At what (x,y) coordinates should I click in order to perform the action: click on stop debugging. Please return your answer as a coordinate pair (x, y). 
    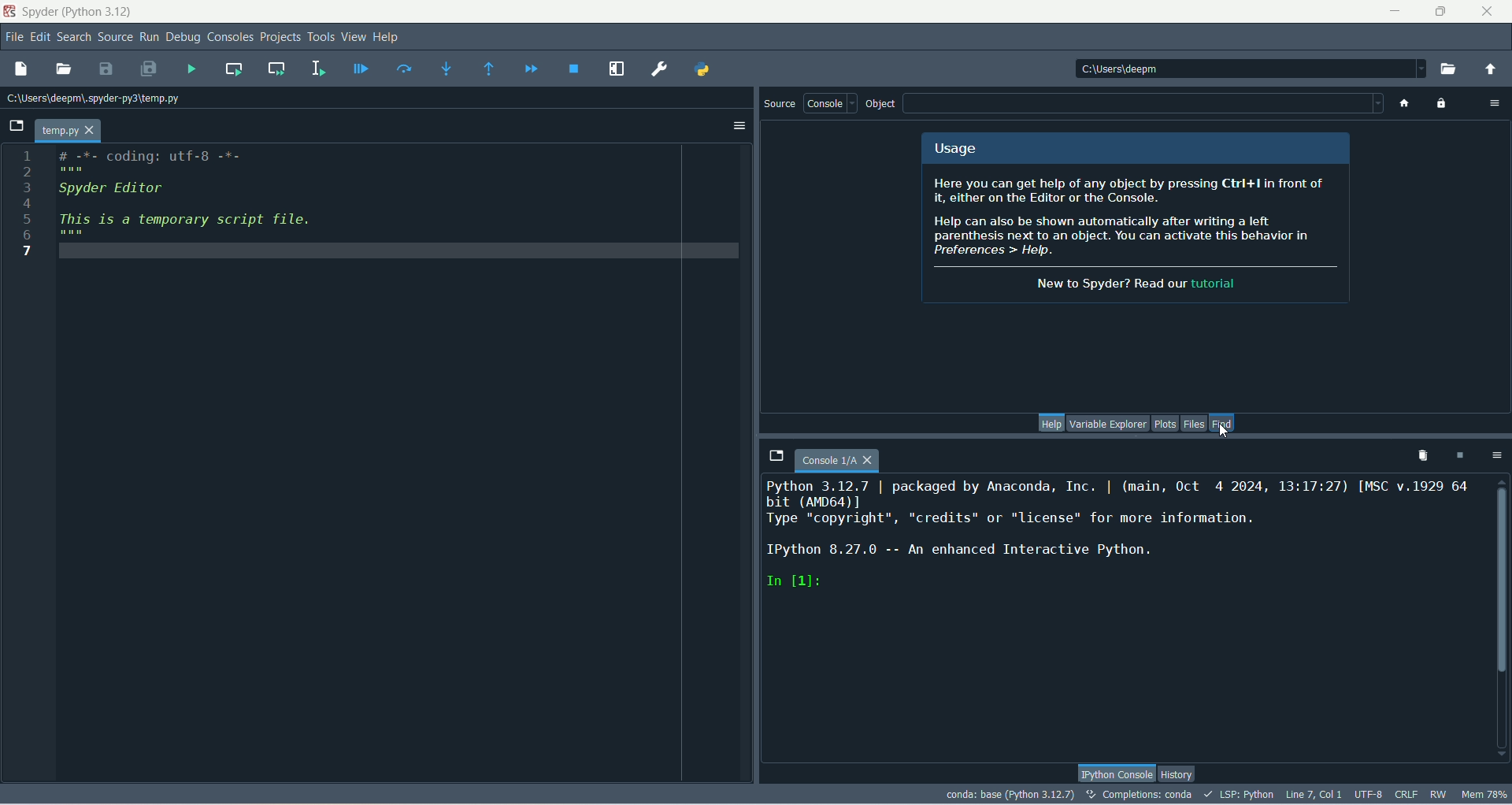
    Looking at the image, I should click on (576, 69).